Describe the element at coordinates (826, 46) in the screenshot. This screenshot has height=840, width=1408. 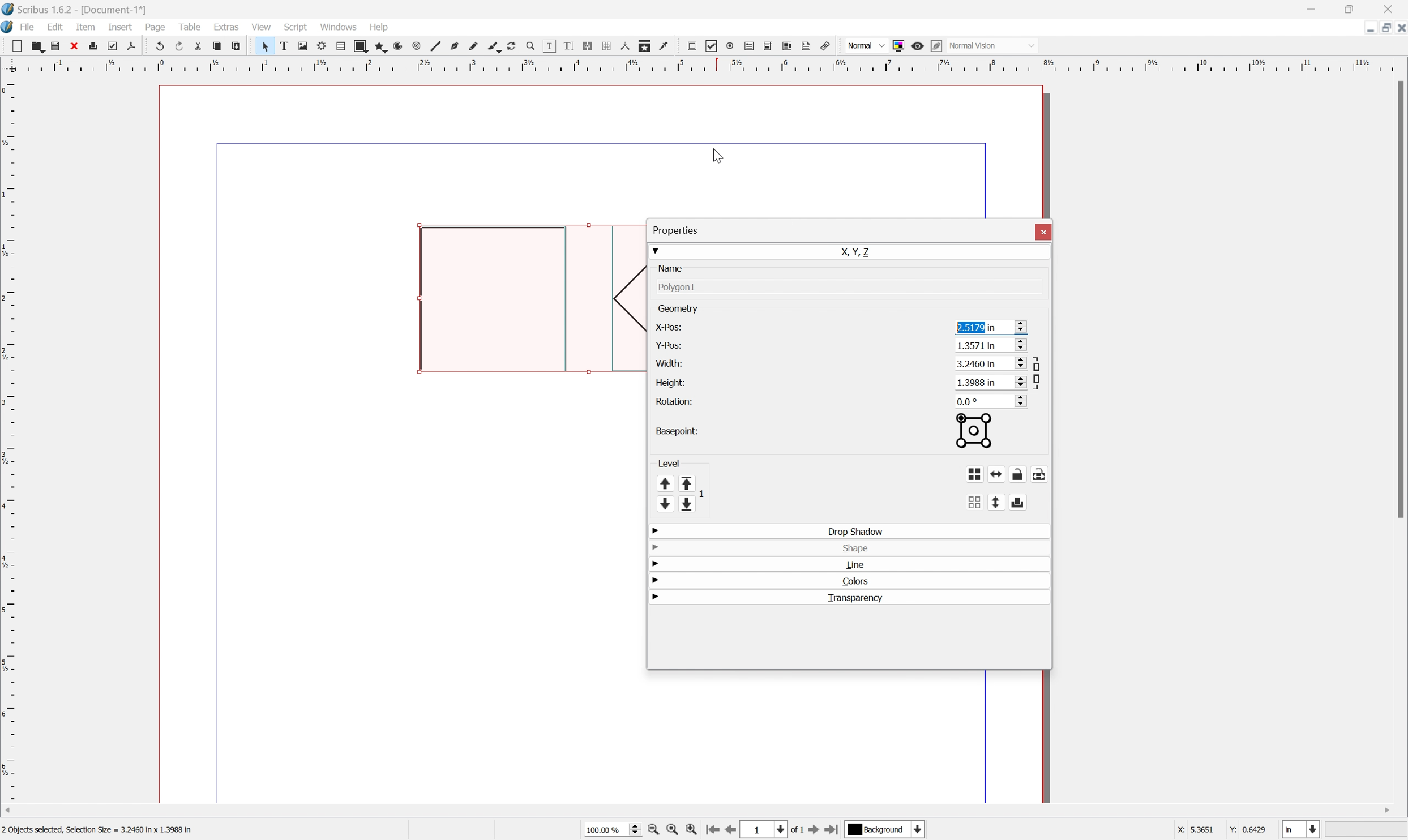
I see `Link annotation` at that location.